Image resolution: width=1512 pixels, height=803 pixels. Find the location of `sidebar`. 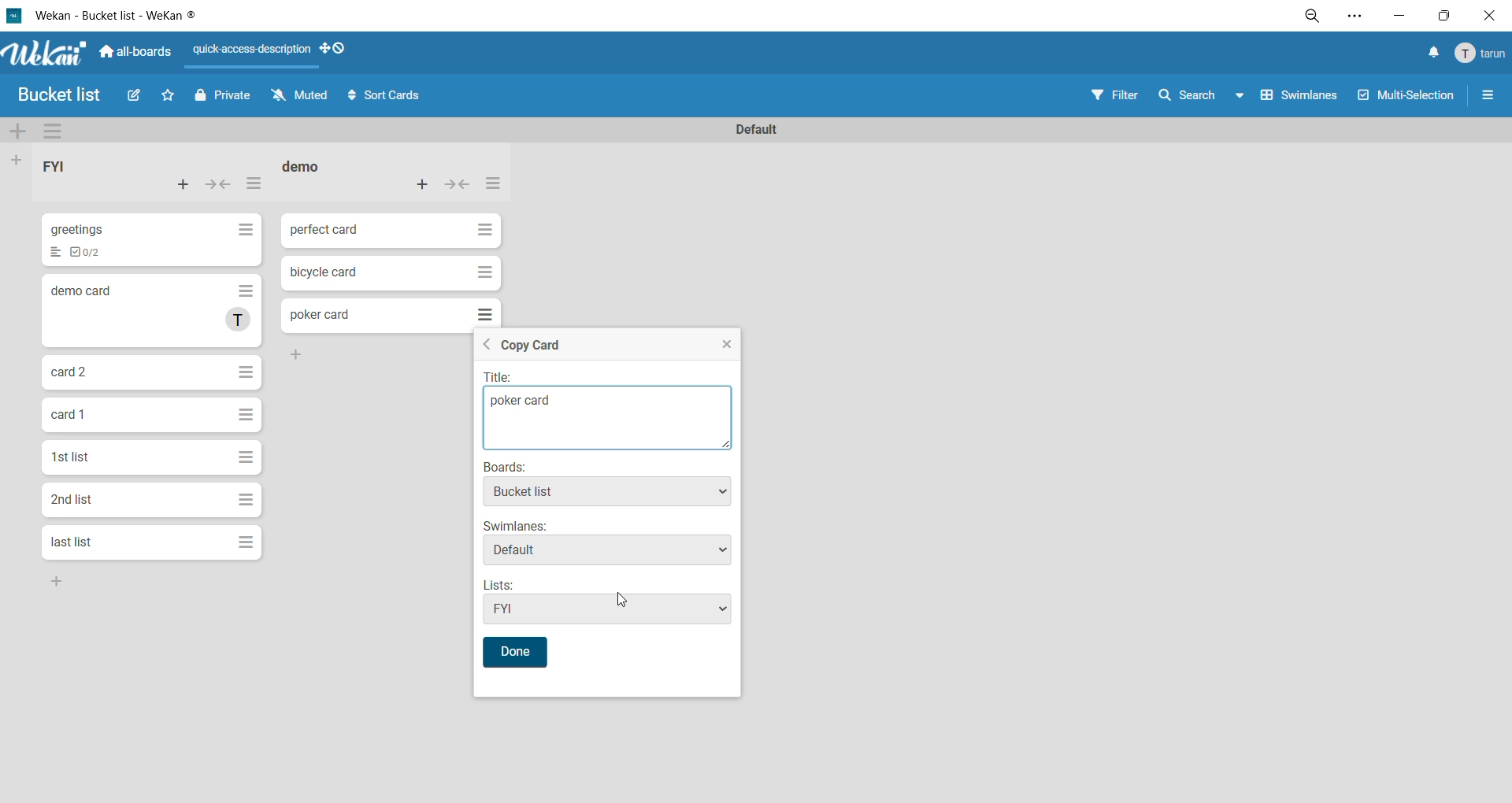

sidebar is located at coordinates (1488, 98).